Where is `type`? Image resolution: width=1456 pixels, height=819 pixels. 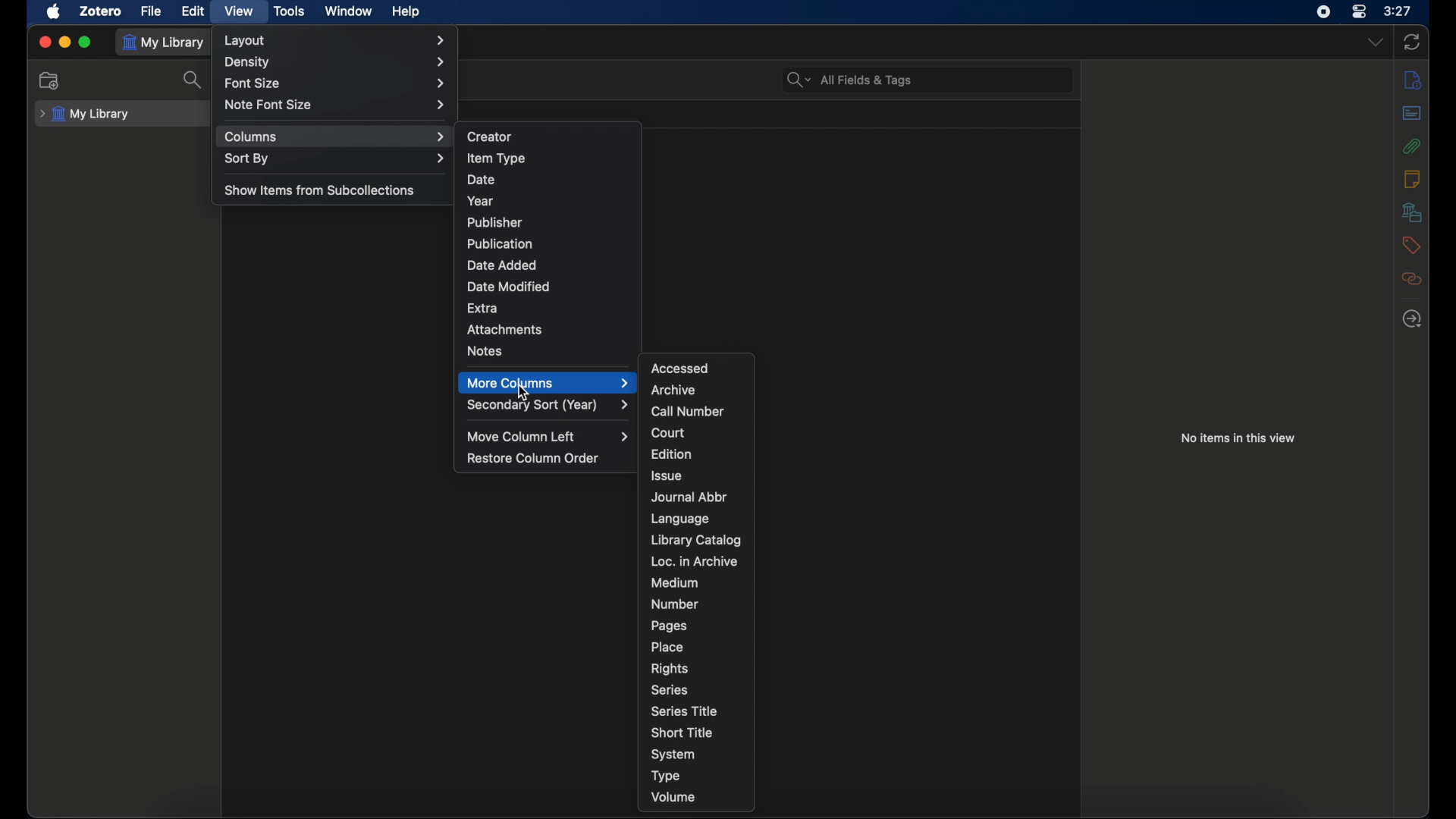
type is located at coordinates (666, 776).